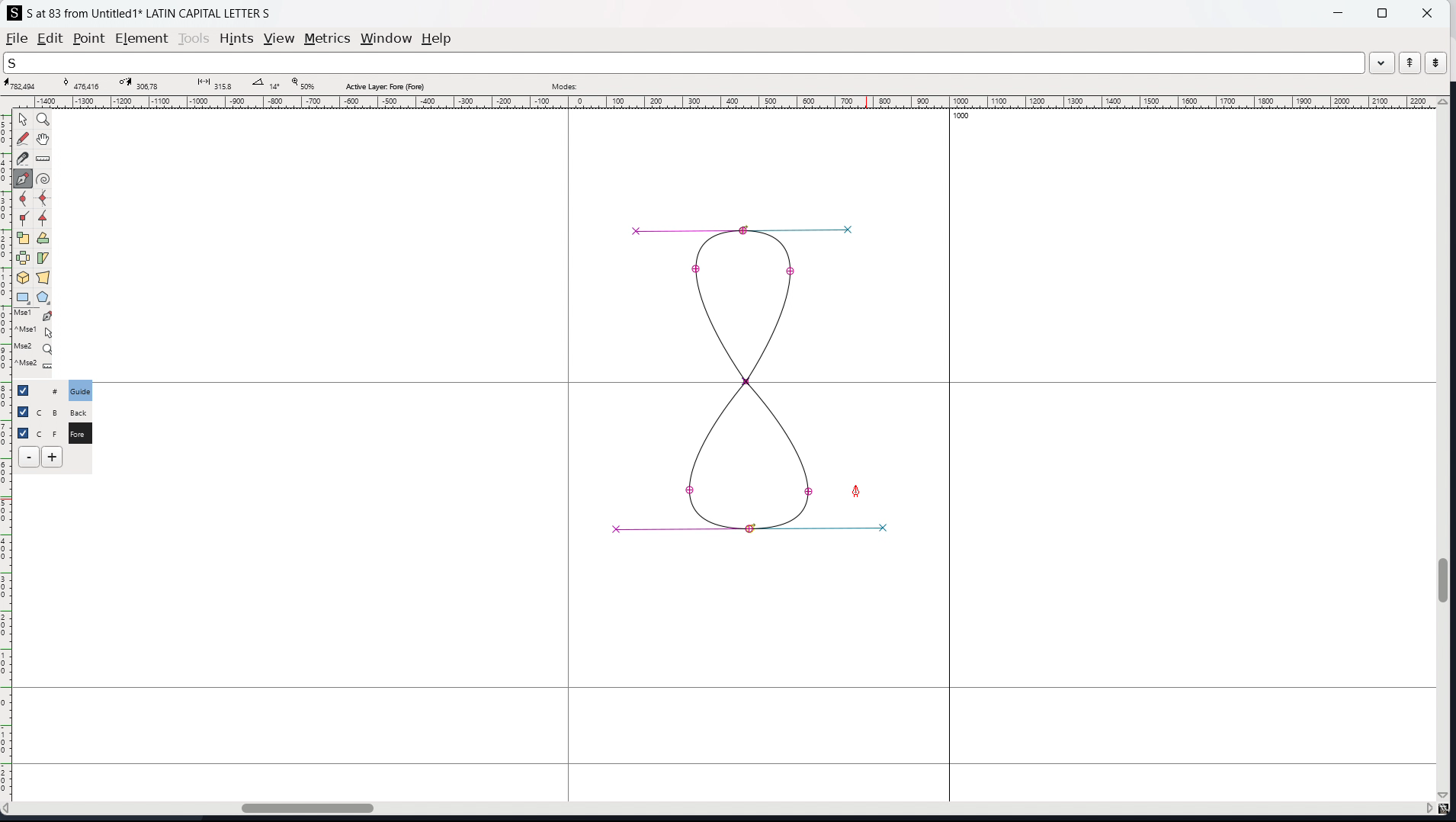  I want to click on scroll by hand, so click(45, 140).